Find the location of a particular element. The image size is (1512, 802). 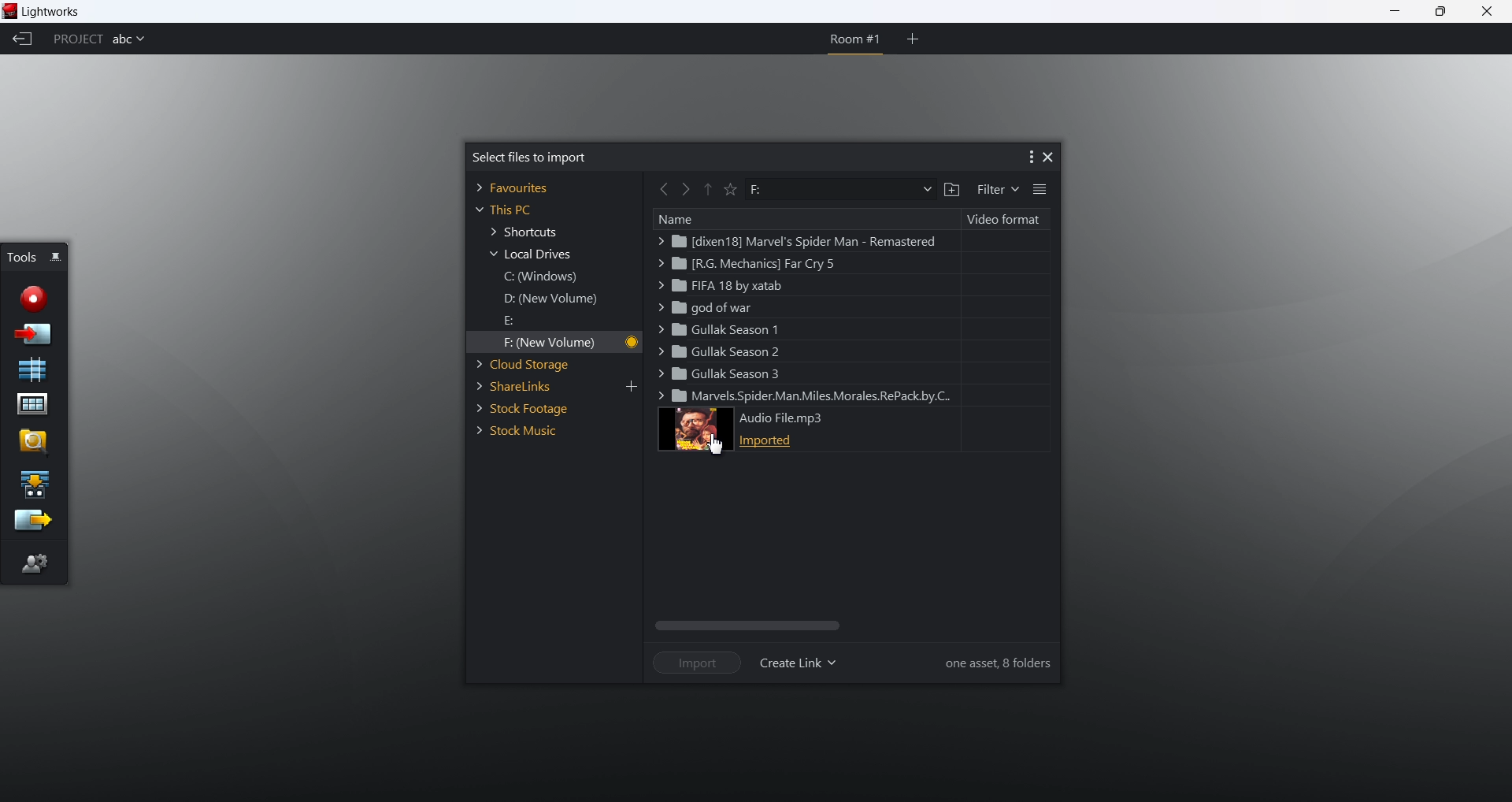

pin/unpin is located at coordinates (59, 258).